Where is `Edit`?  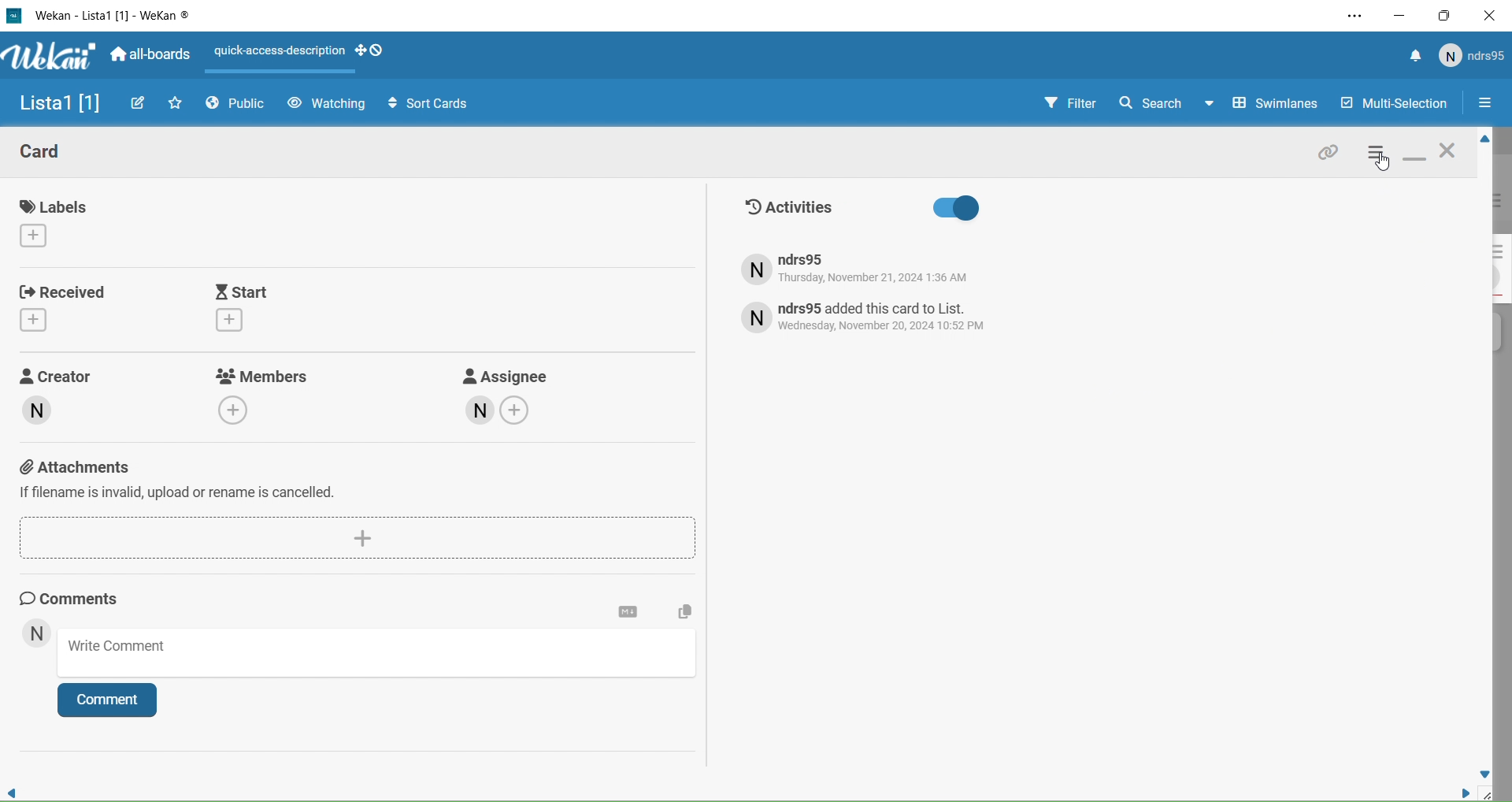 Edit is located at coordinates (139, 104).